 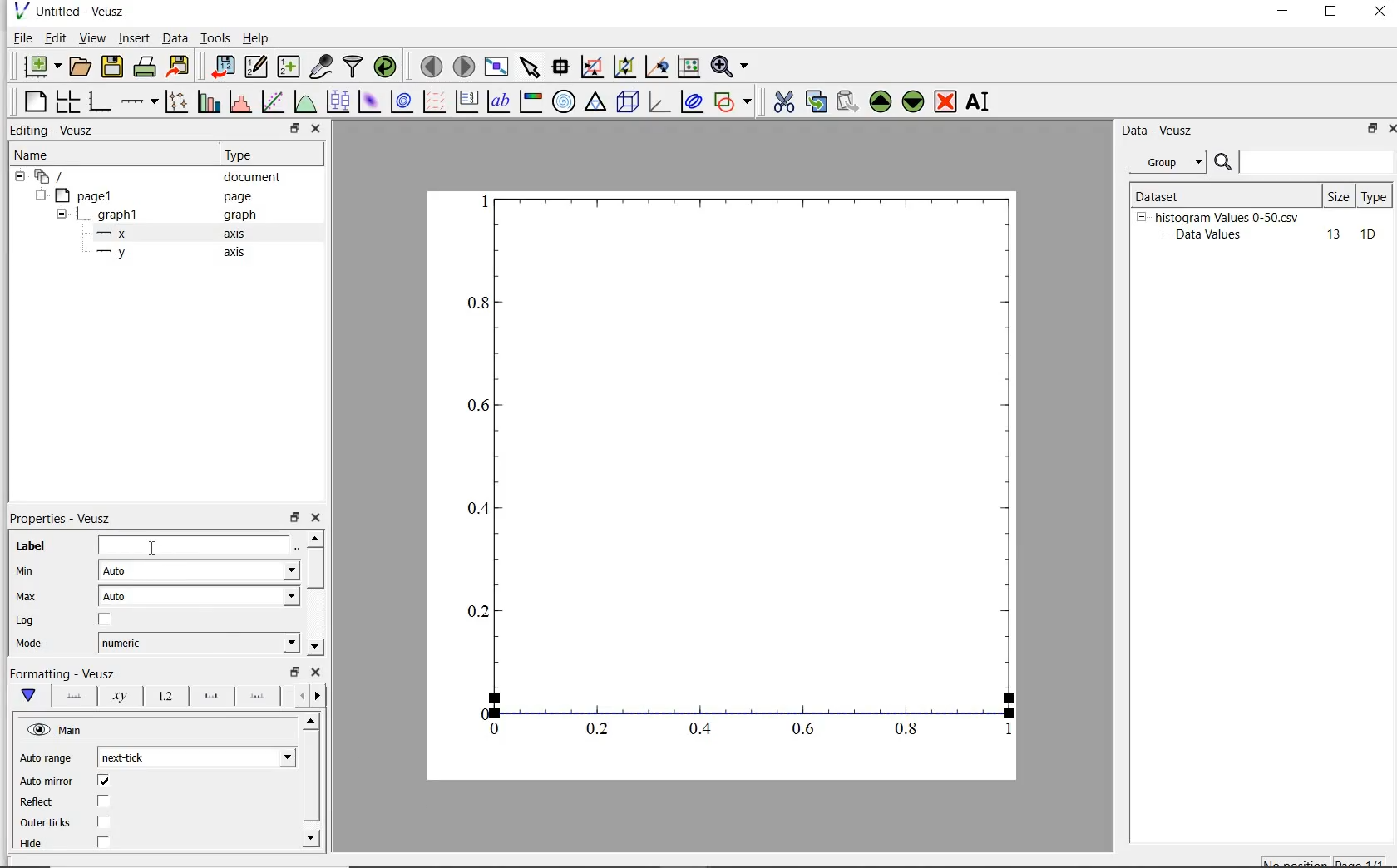 What do you see at coordinates (134, 38) in the screenshot?
I see `insert` at bounding box center [134, 38].